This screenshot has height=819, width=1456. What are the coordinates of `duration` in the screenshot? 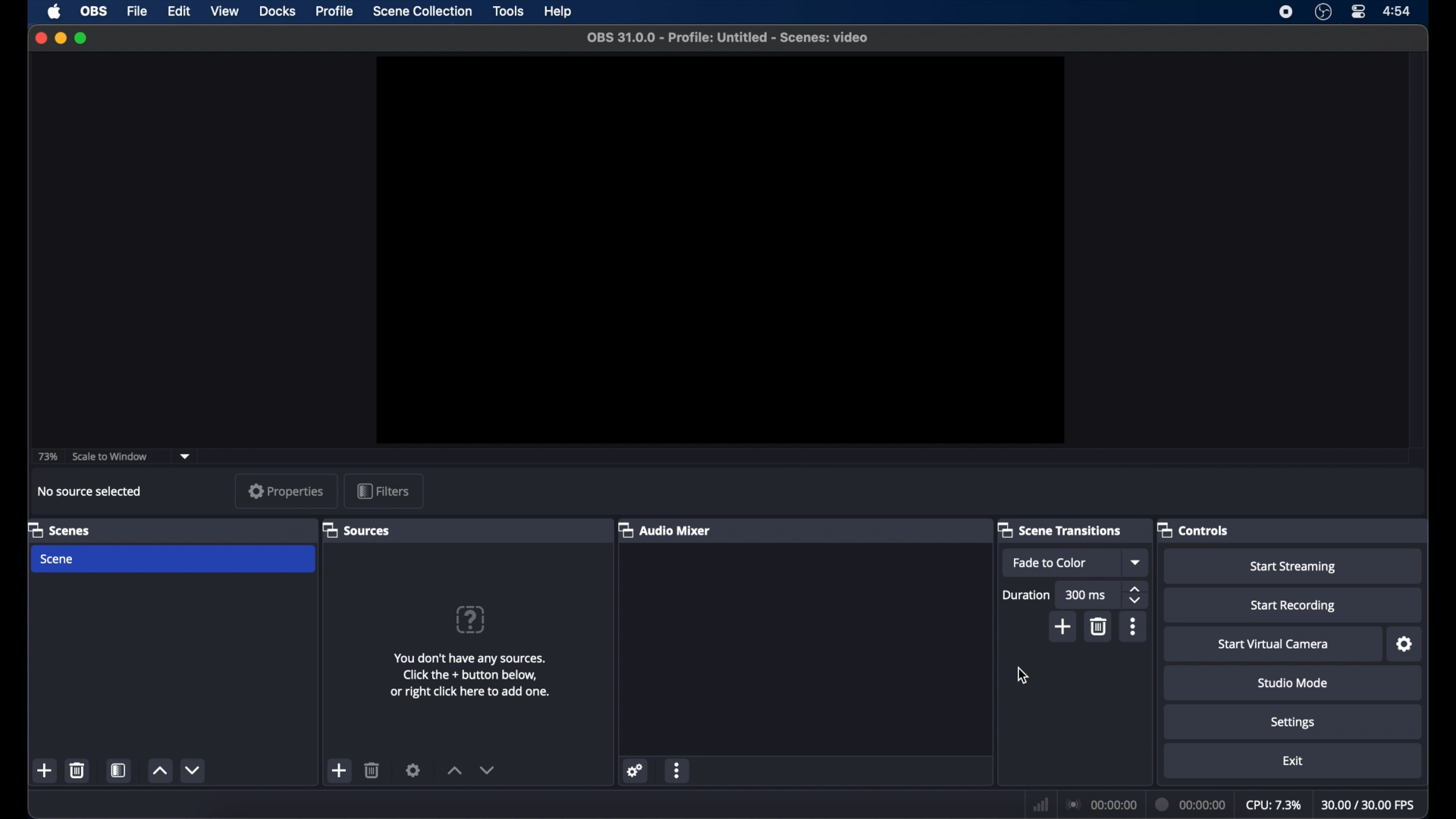 It's located at (1191, 804).